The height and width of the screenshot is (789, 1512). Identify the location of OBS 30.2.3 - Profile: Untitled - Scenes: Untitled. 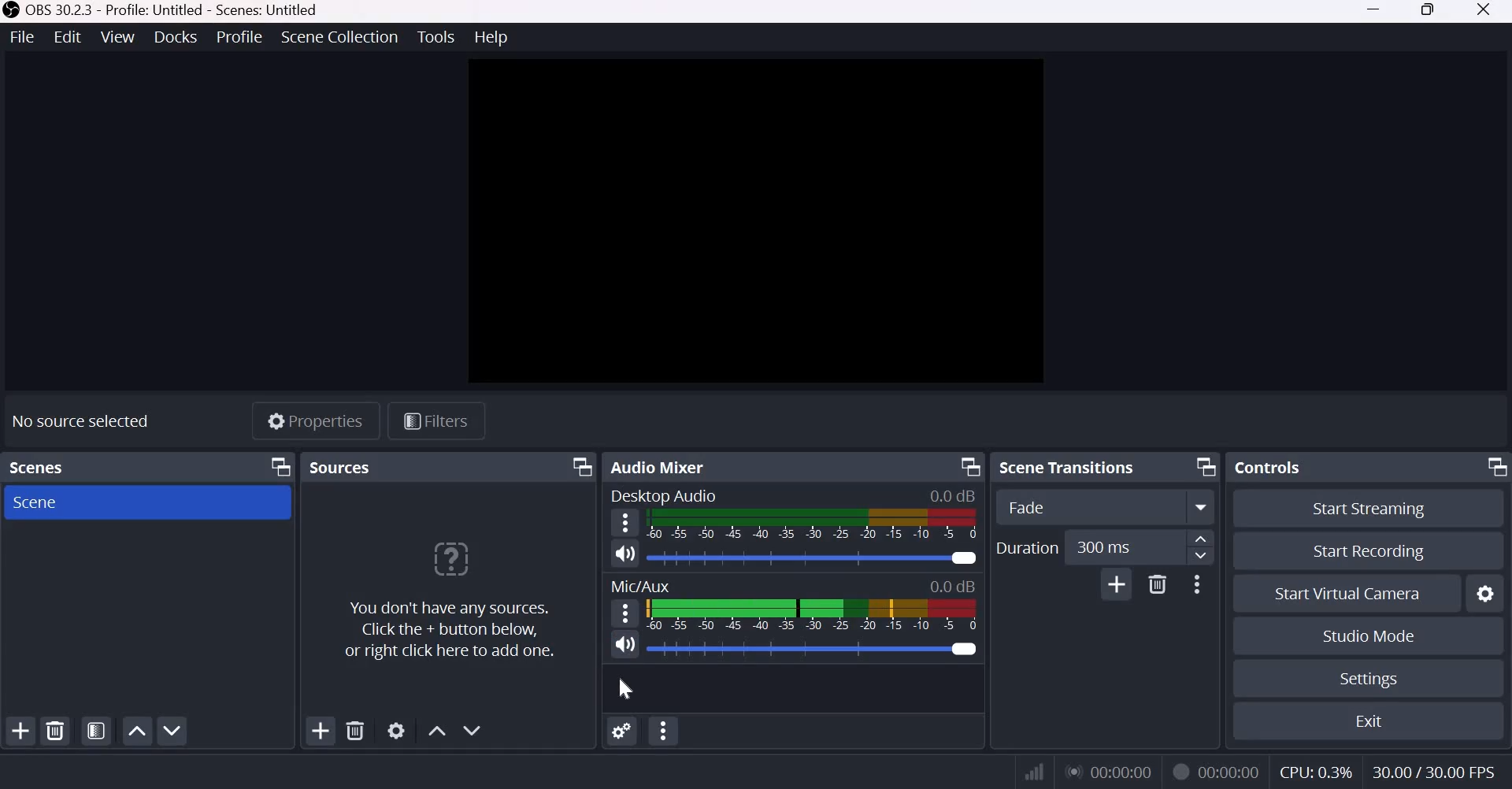
(165, 10).